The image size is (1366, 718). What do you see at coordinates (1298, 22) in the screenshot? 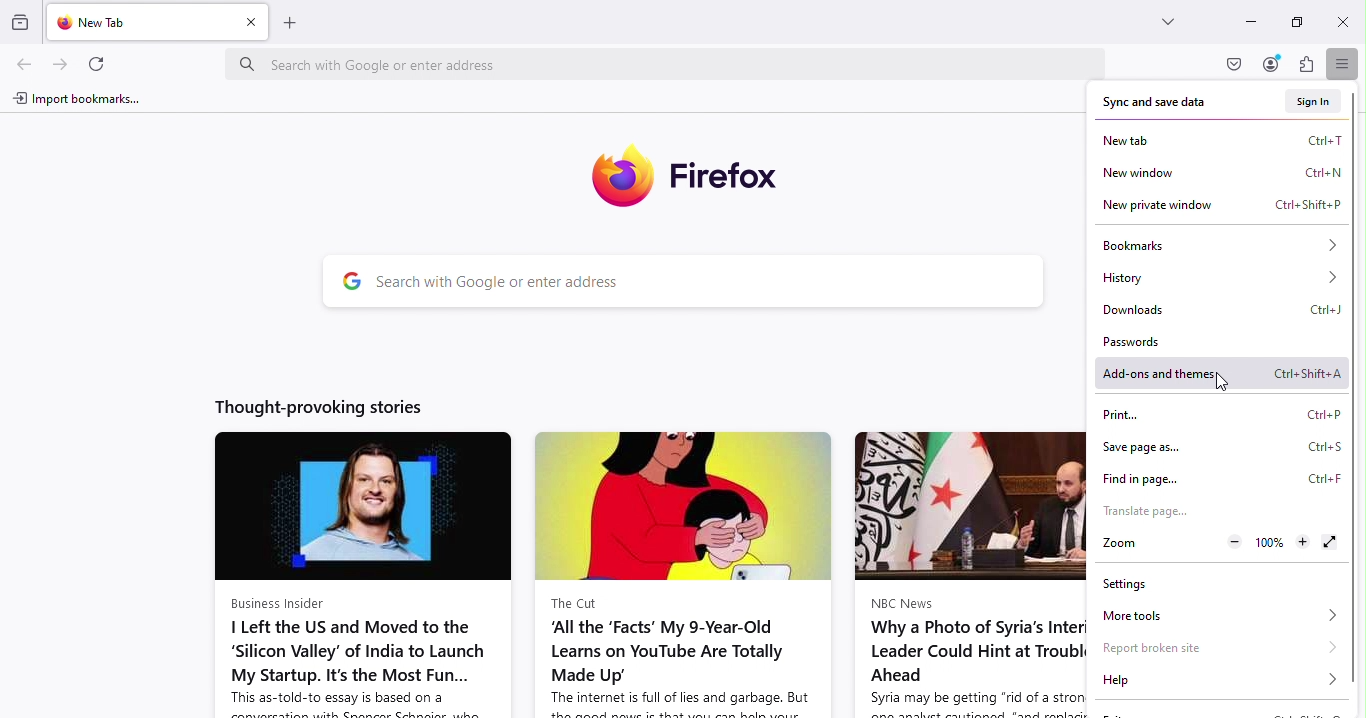
I see `Maximize` at bounding box center [1298, 22].